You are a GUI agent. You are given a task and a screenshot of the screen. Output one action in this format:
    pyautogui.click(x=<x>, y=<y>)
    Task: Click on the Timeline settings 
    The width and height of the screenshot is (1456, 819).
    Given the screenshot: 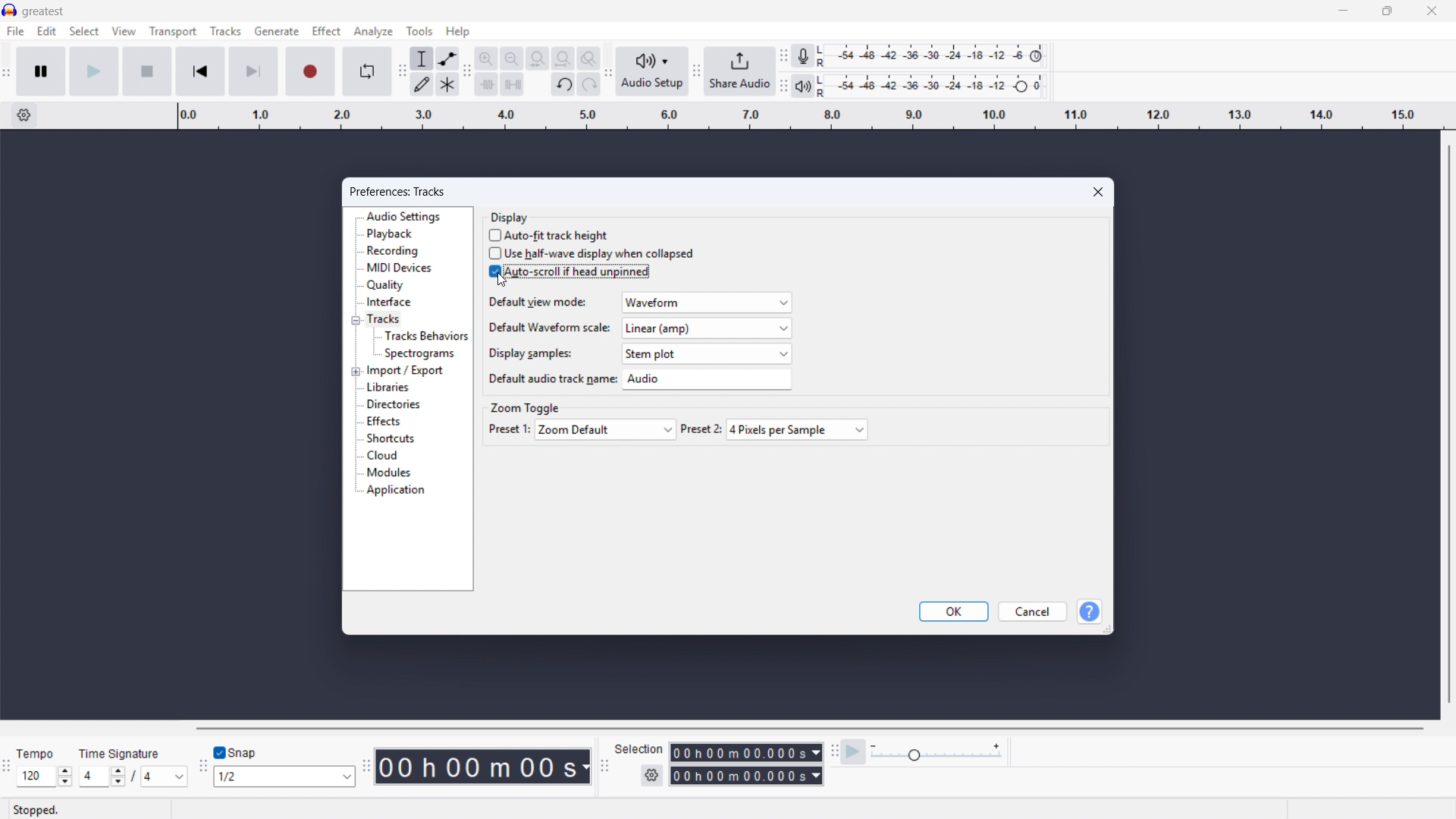 What is the action you would take?
    pyautogui.click(x=24, y=115)
    